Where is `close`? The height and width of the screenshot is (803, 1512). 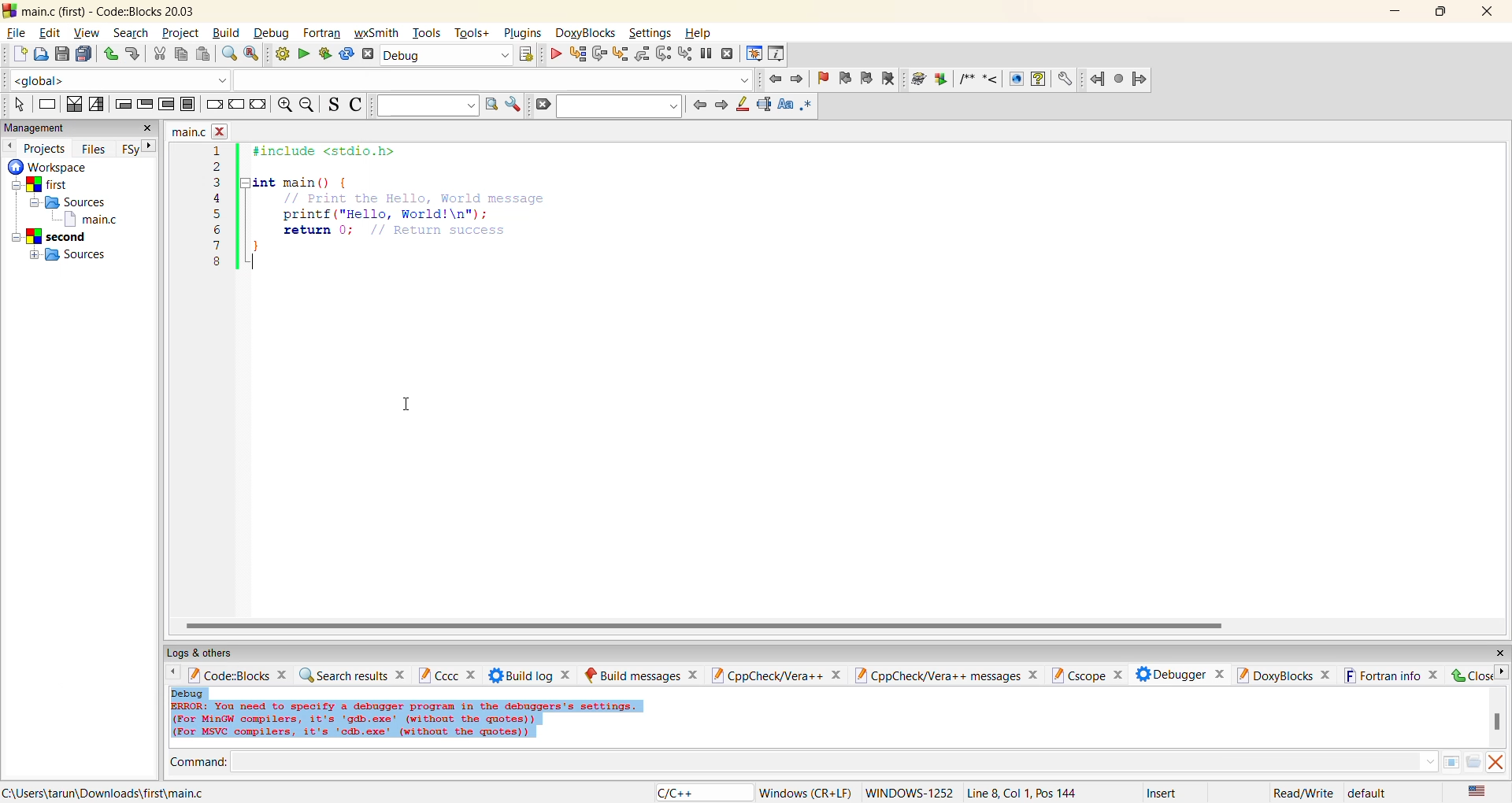
close is located at coordinates (1470, 675).